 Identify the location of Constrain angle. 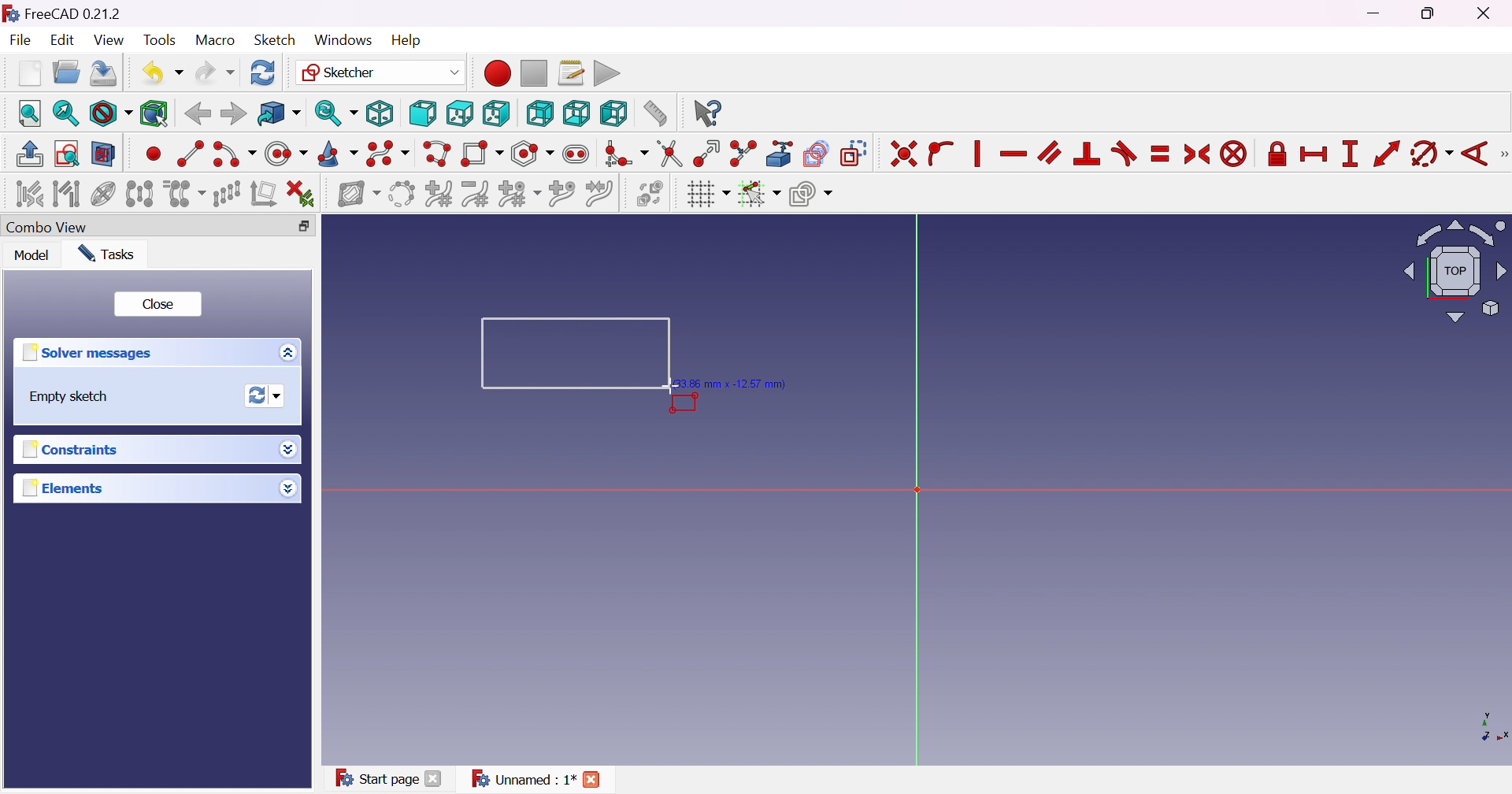
(1473, 155).